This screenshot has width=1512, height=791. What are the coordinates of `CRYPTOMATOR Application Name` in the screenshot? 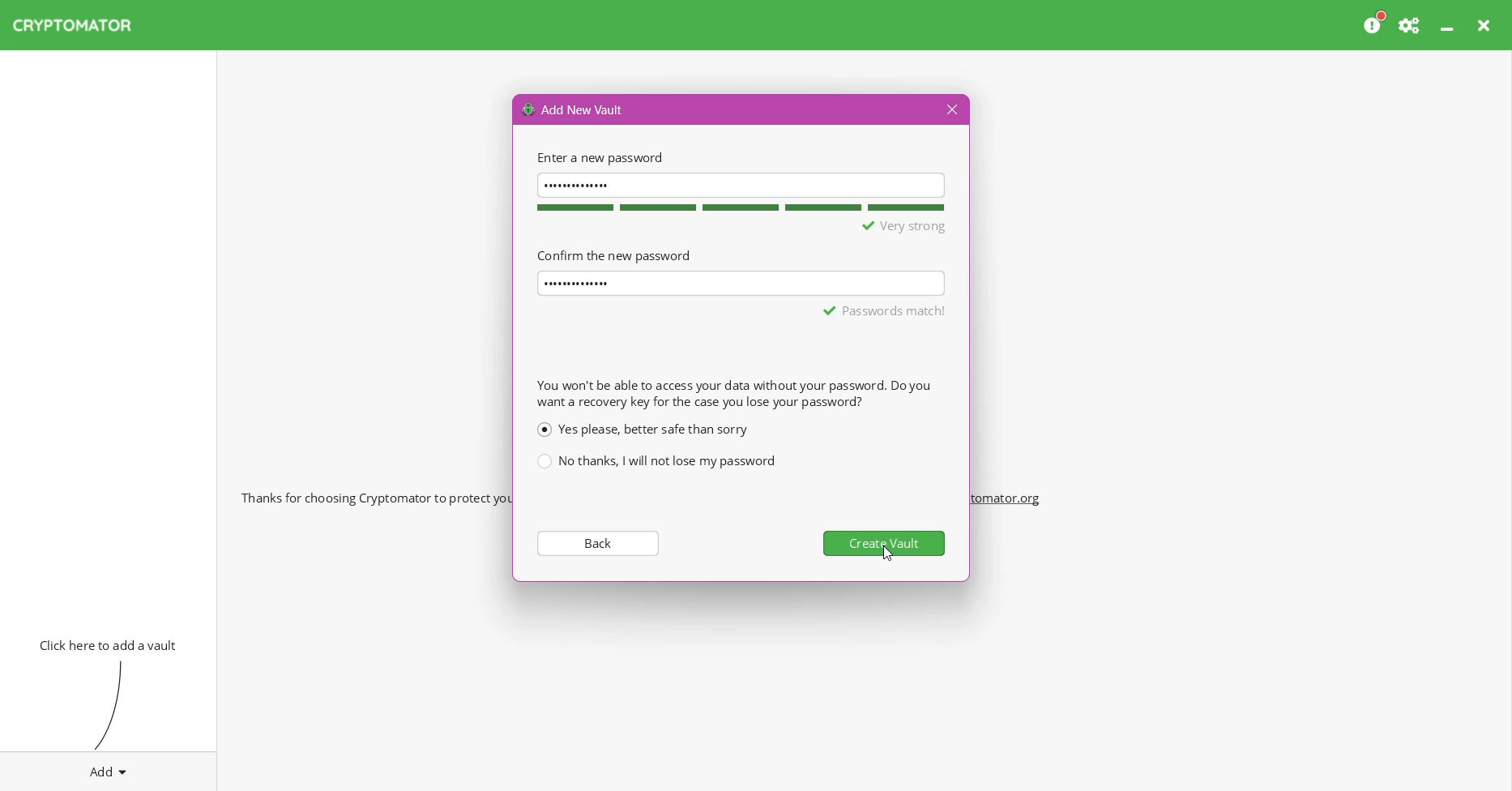 It's located at (80, 25).